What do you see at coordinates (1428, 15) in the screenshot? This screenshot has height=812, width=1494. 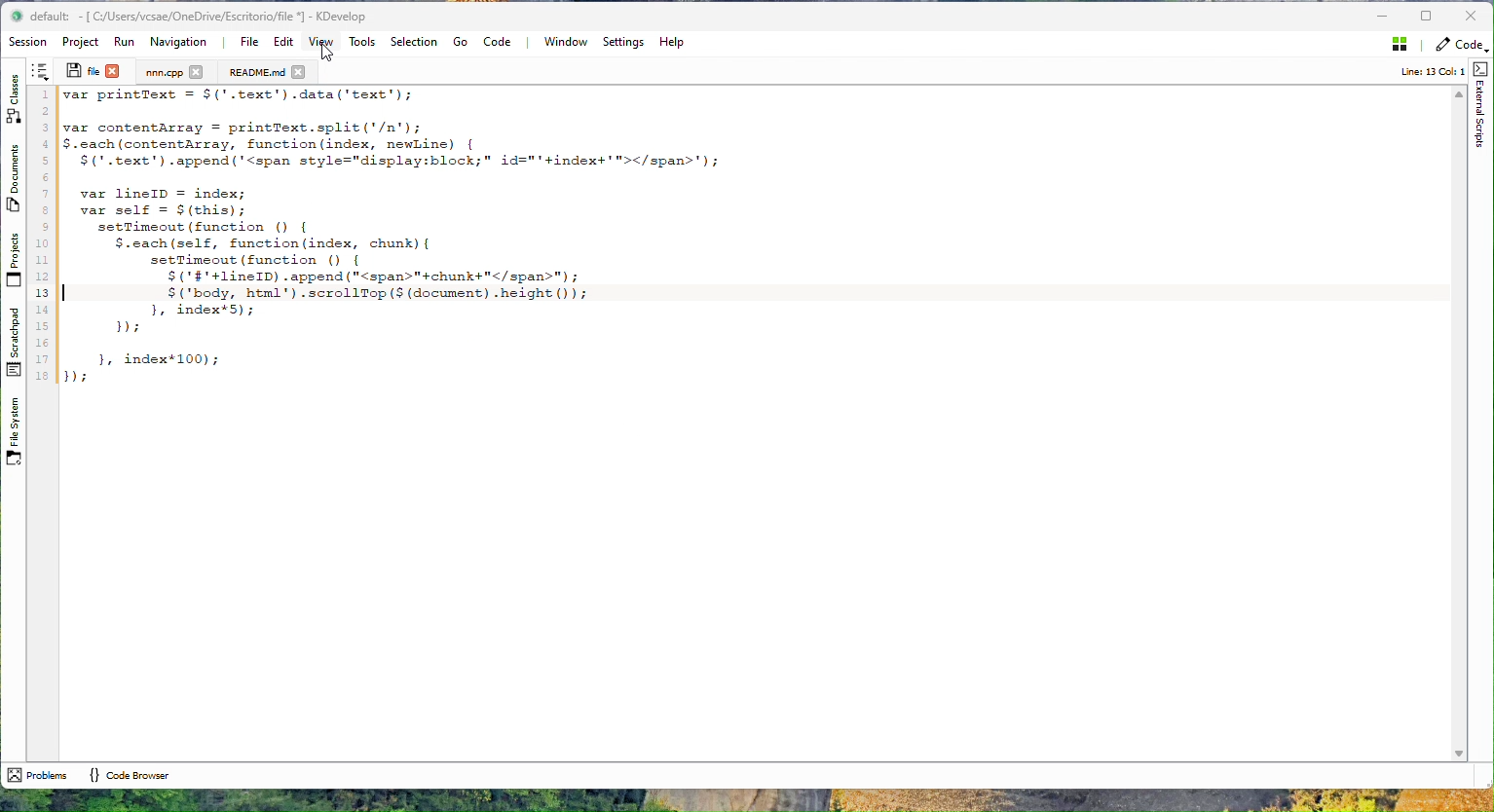 I see `Box` at bounding box center [1428, 15].